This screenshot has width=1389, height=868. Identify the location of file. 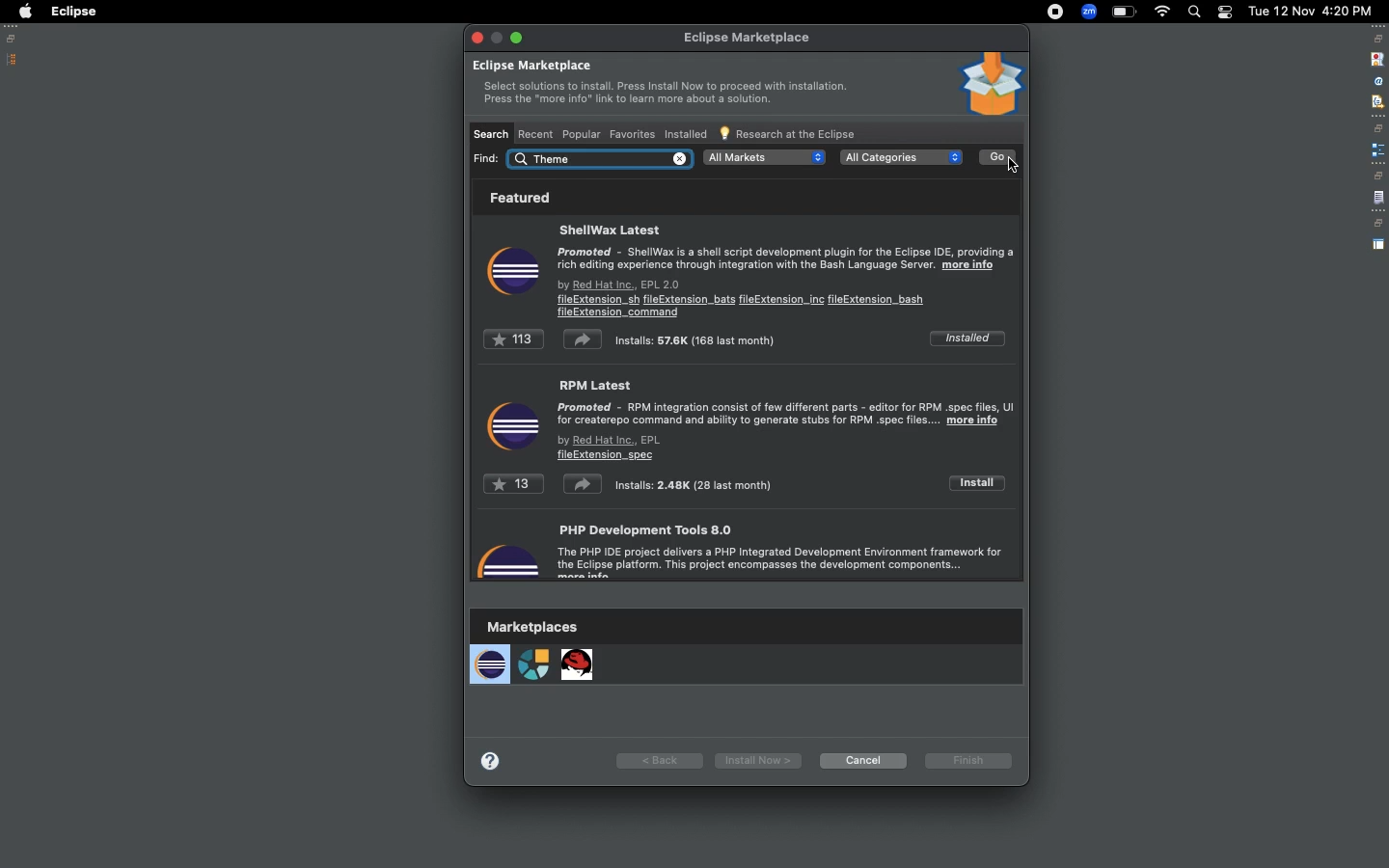
(1378, 199).